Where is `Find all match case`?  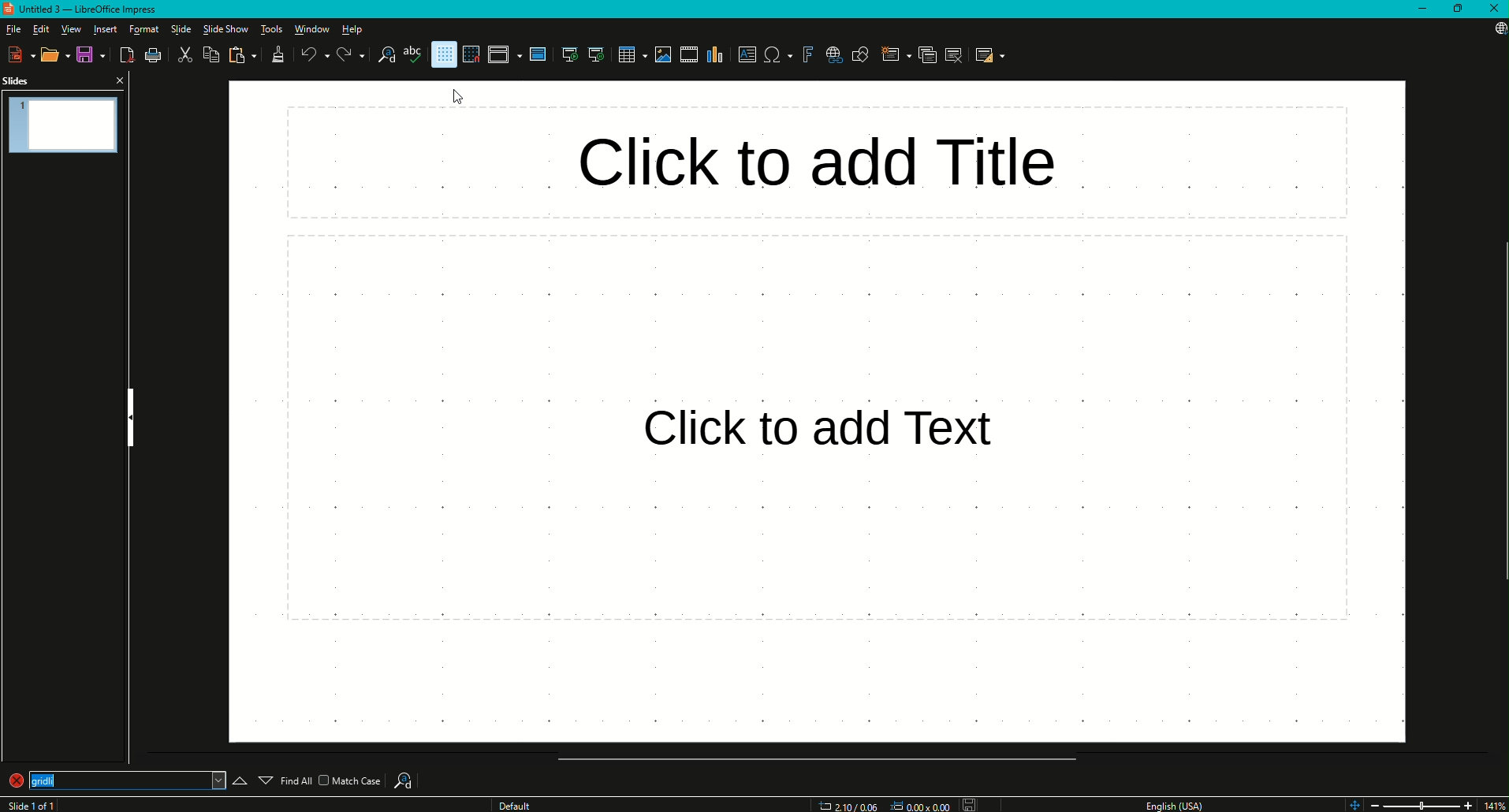 Find all match case is located at coordinates (333, 780).